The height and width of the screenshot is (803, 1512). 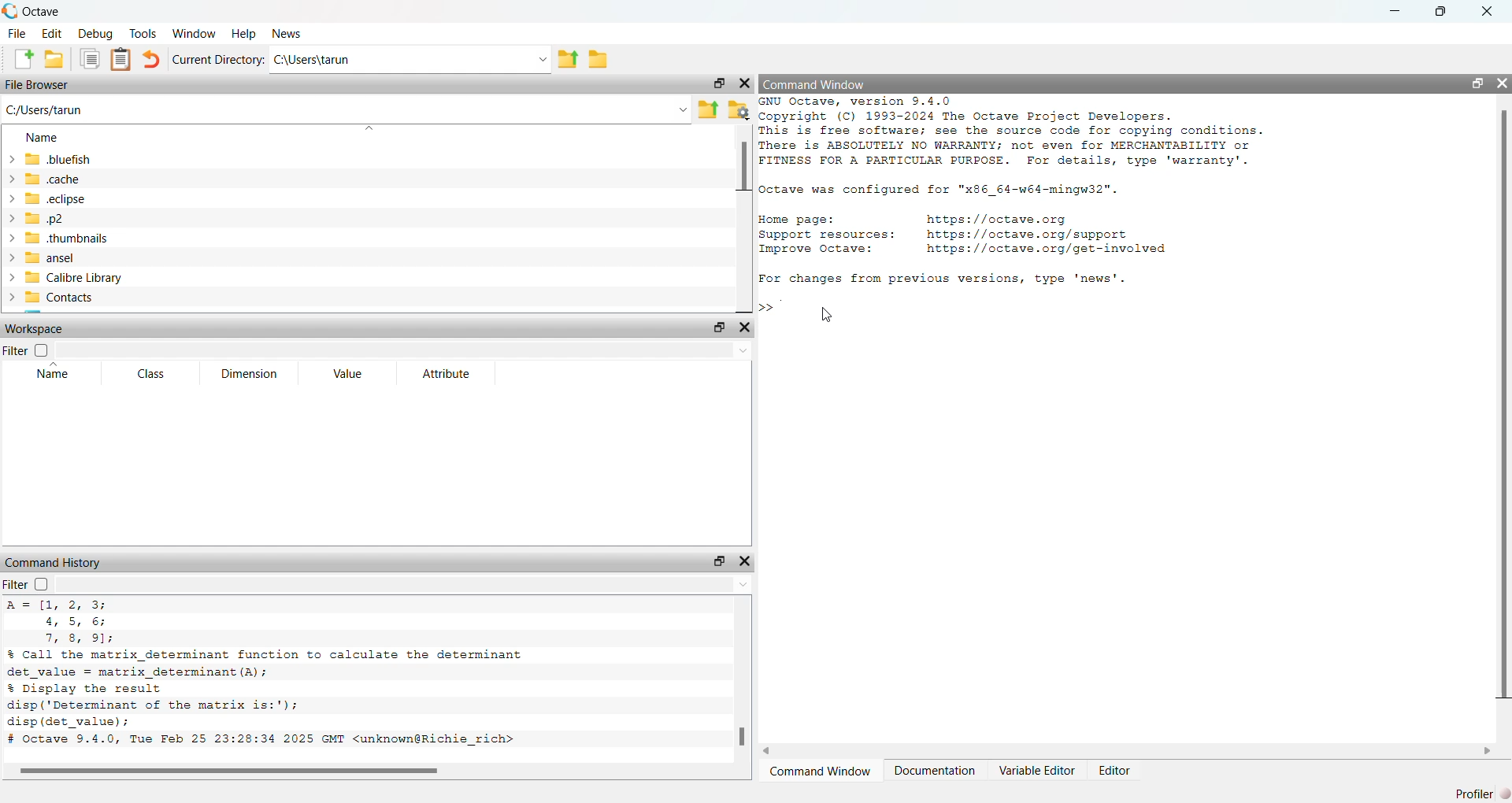 I want to click on maximize, so click(x=717, y=329).